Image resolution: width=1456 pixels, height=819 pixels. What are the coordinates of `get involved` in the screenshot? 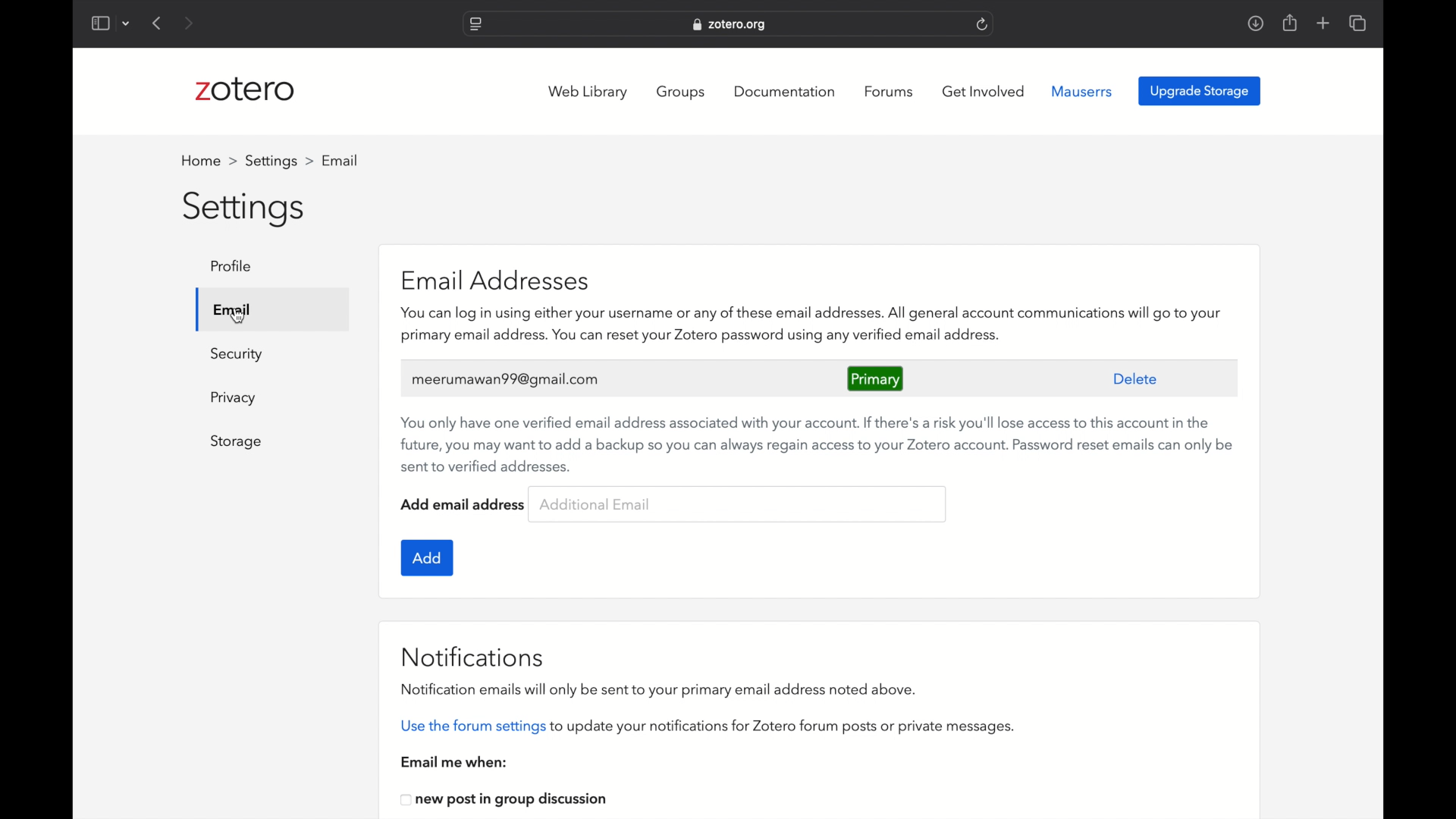 It's located at (983, 92).